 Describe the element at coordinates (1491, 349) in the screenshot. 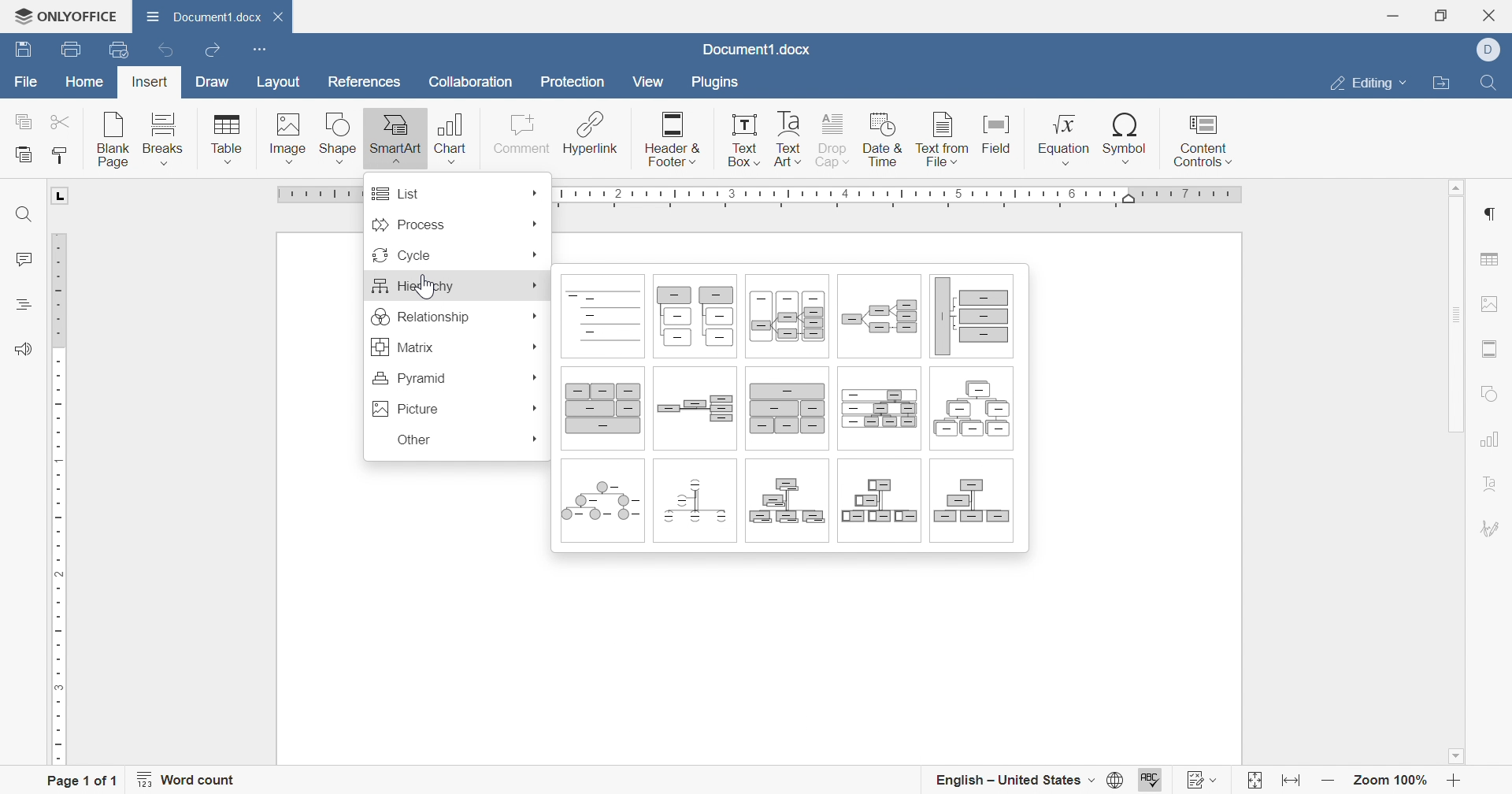

I see `Headers & Footers` at that location.